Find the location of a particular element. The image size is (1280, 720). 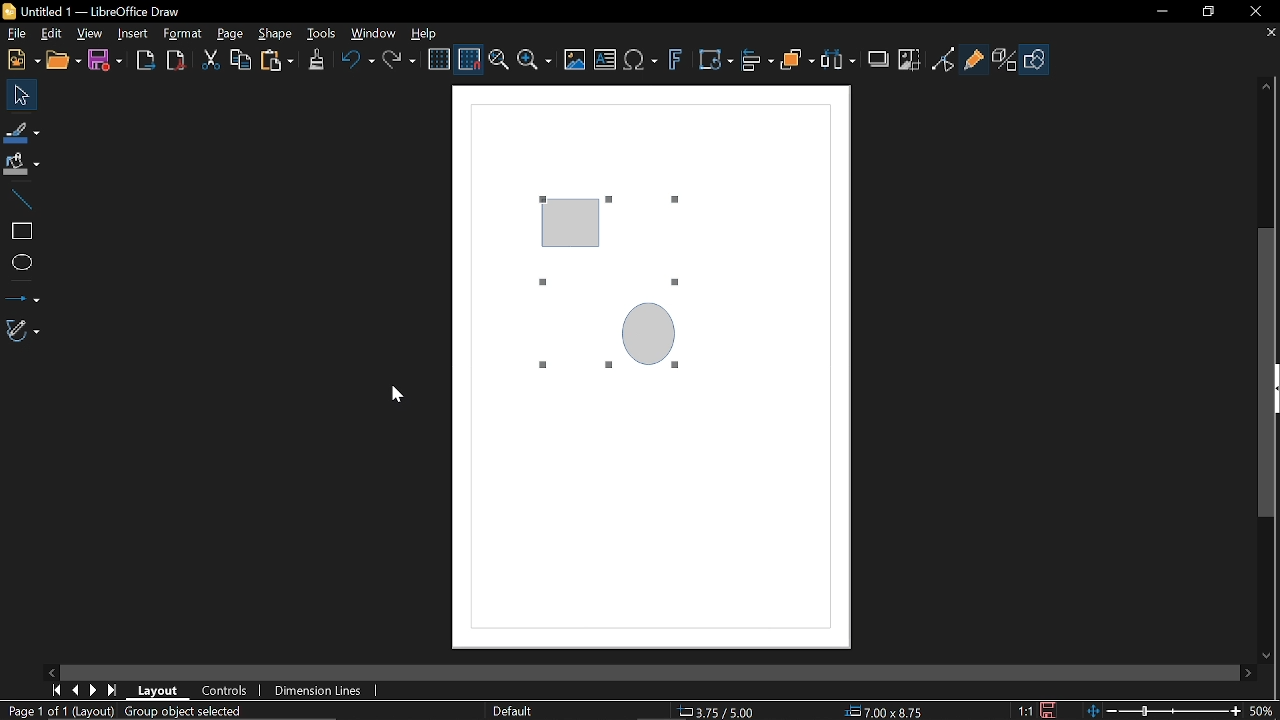

Move left is located at coordinates (47, 671).